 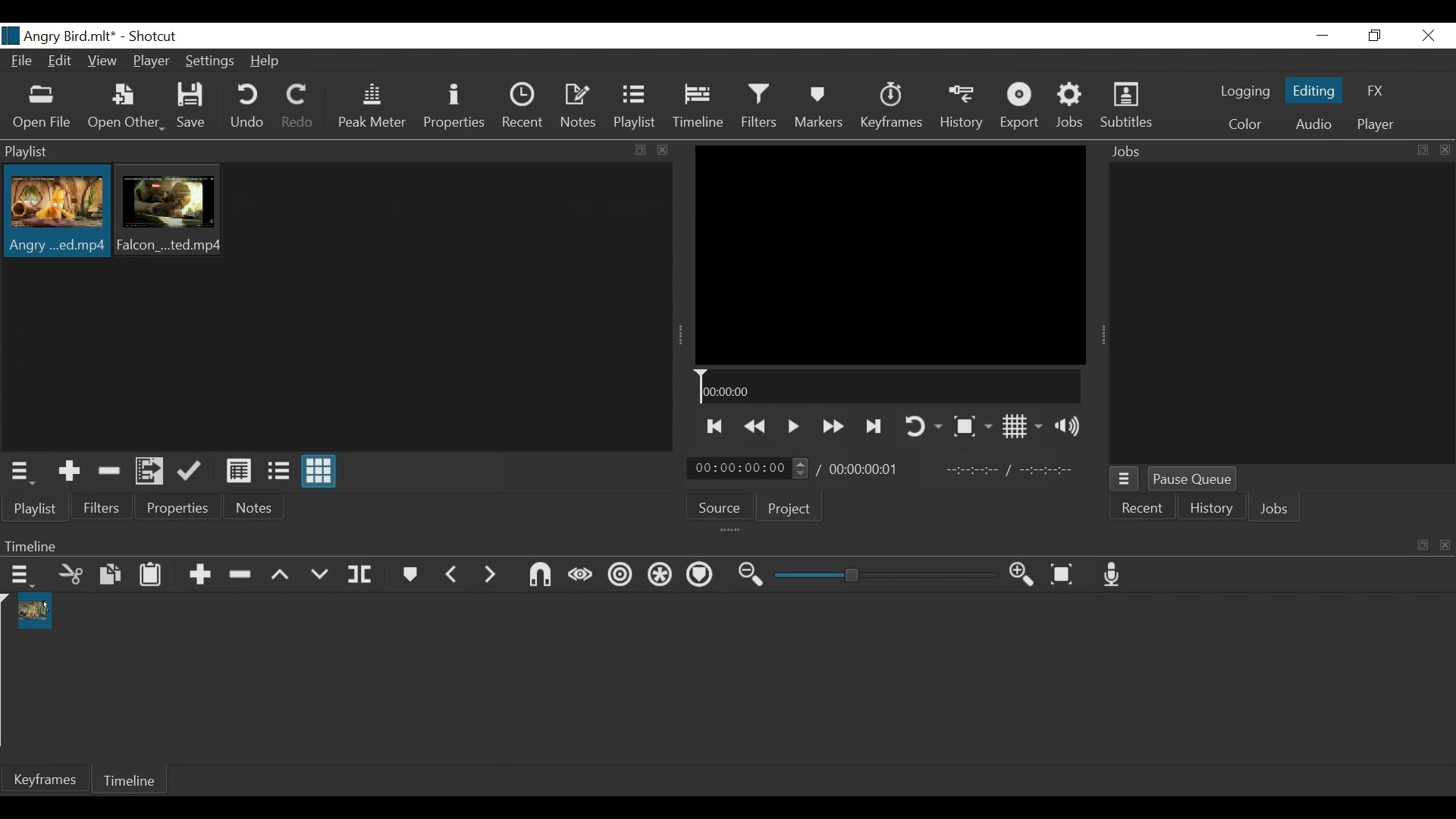 What do you see at coordinates (338, 152) in the screenshot?
I see `Playlist Panel` at bounding box center [338, 152].